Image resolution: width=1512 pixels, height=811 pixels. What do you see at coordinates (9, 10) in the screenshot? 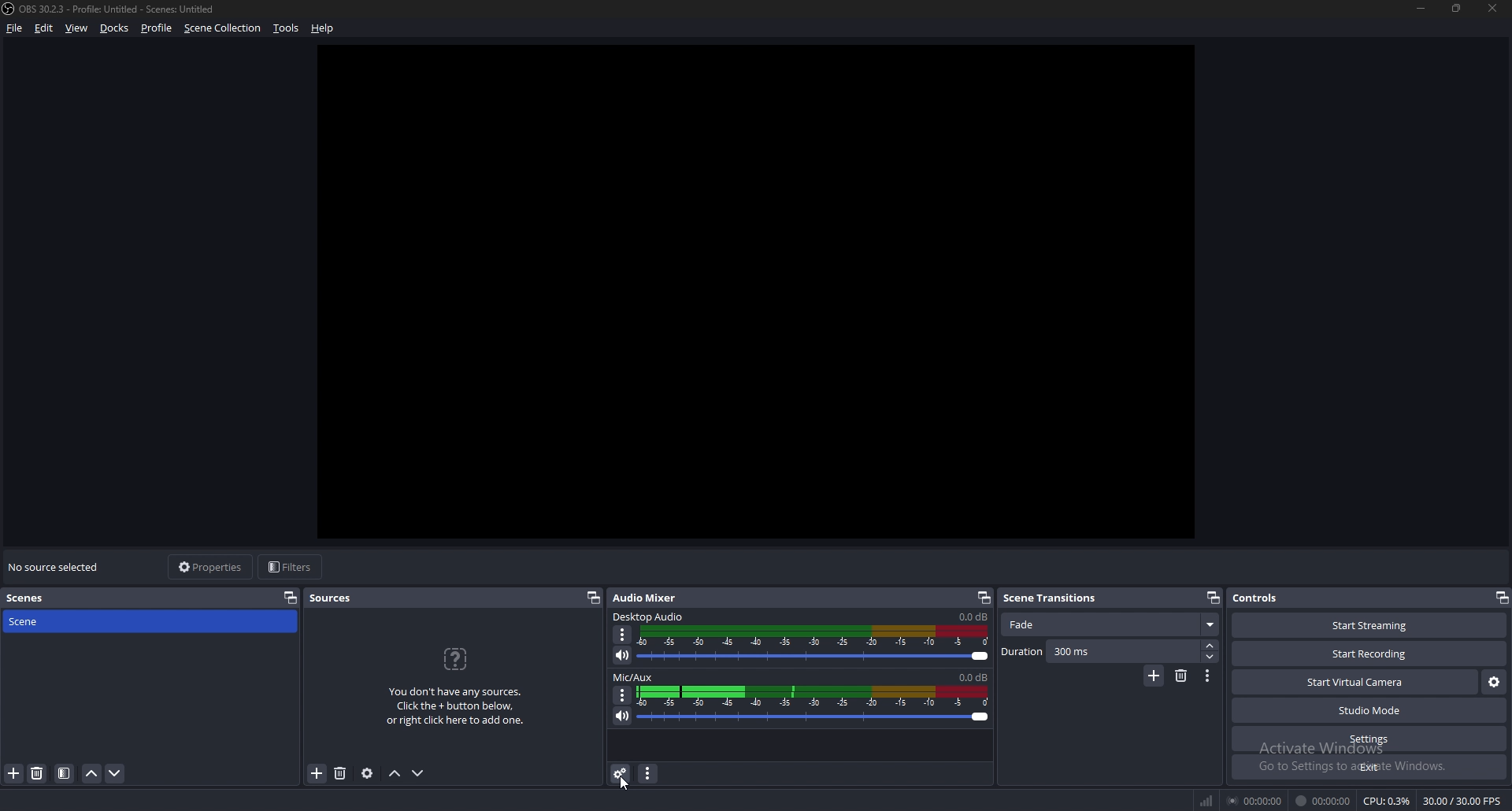
I see `OBS LOGO` at bounding box center [9, 10].